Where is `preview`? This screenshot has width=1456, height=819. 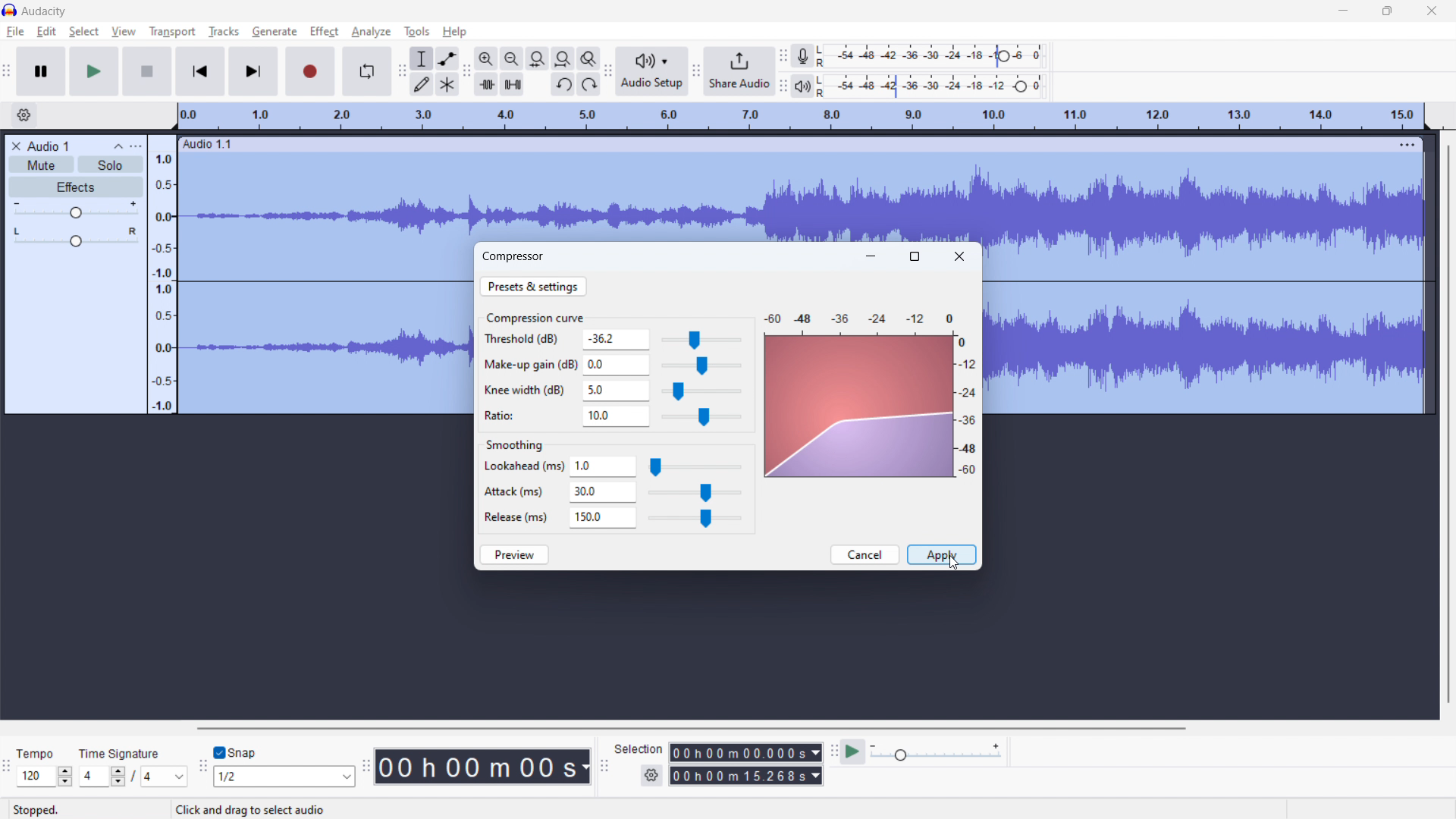
preview is located at coordinates (515, 554).